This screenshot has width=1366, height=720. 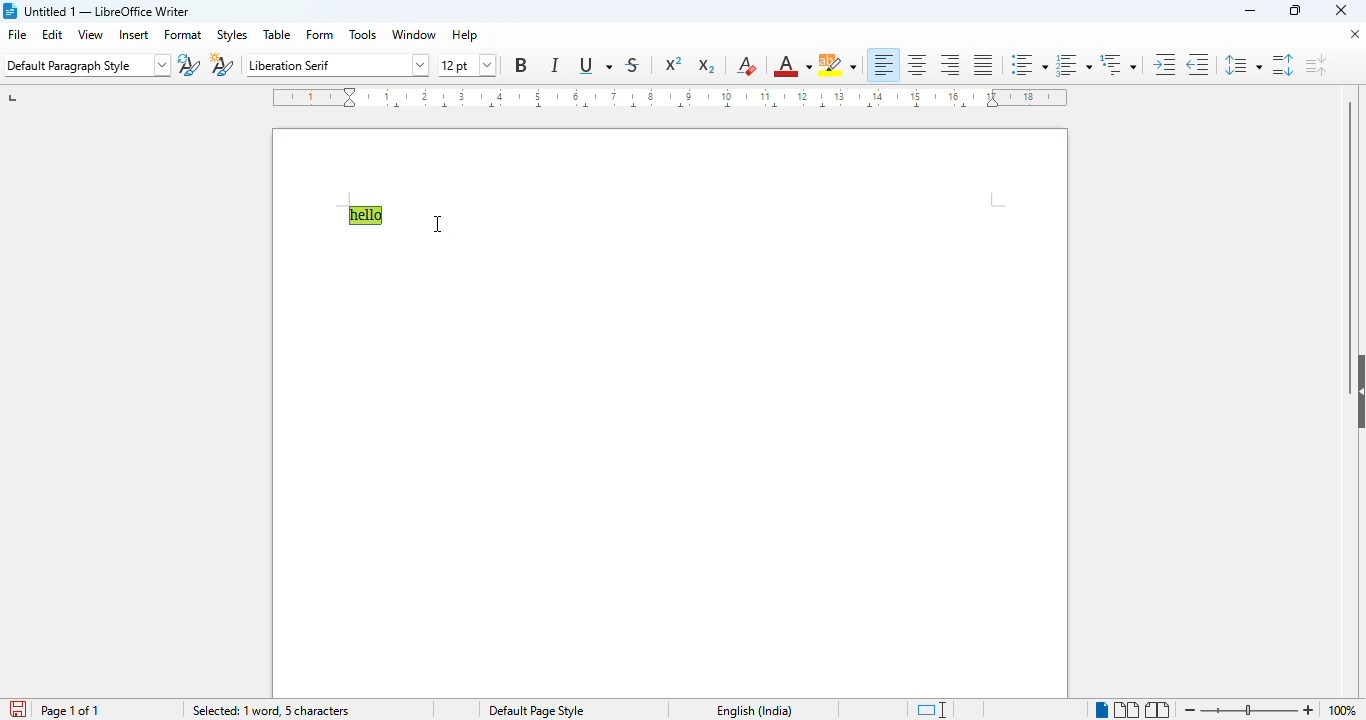 What do you see at coordinates (594, 66) in the screenshot?
I see `underline` at bounding box center [594, 66].